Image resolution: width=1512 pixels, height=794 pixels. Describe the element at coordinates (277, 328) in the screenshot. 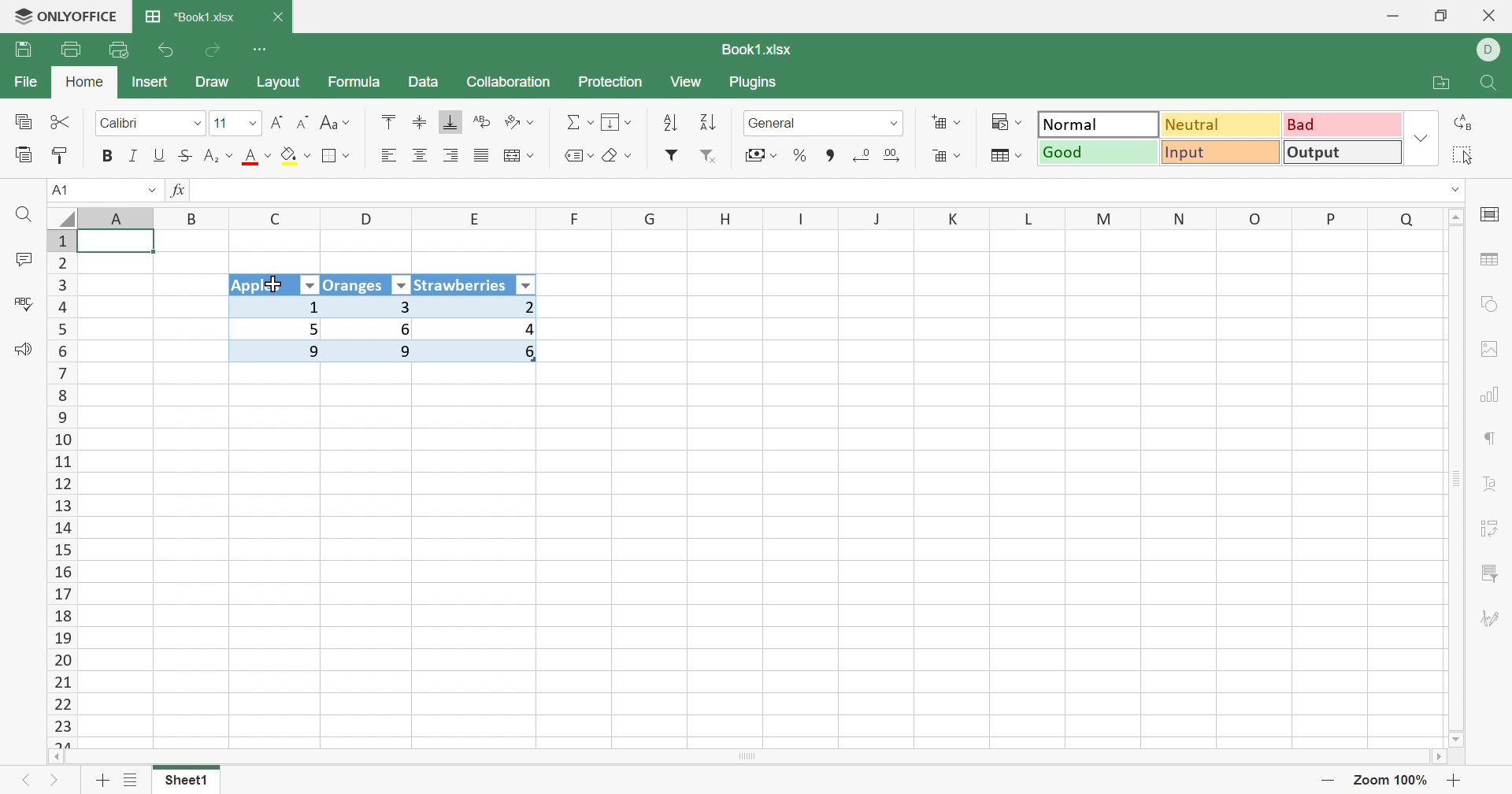

I see `5` at that location.